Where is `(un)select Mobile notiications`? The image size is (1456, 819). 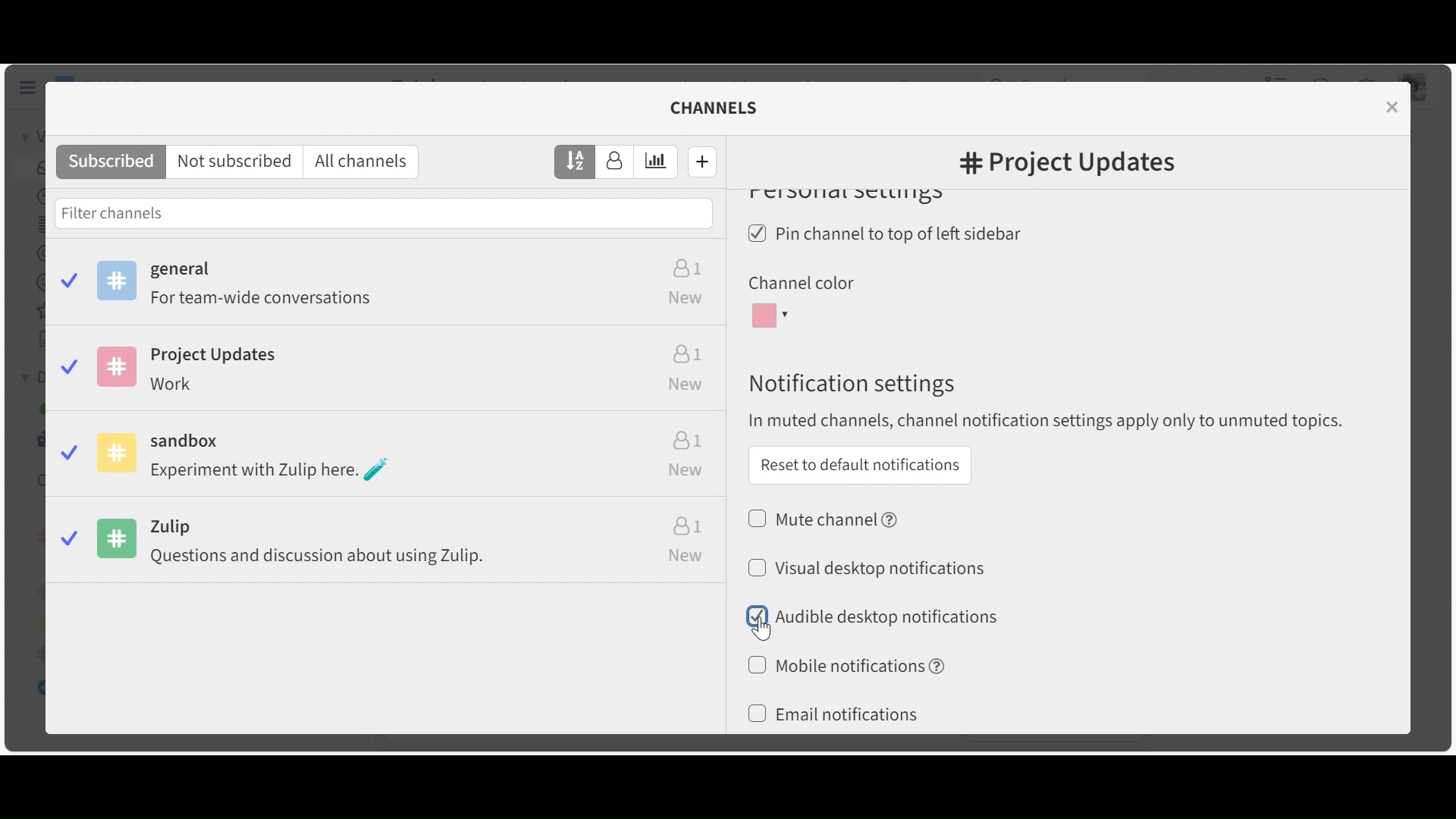
(un)select Mobile notiications is located at coordinates (845, 665).